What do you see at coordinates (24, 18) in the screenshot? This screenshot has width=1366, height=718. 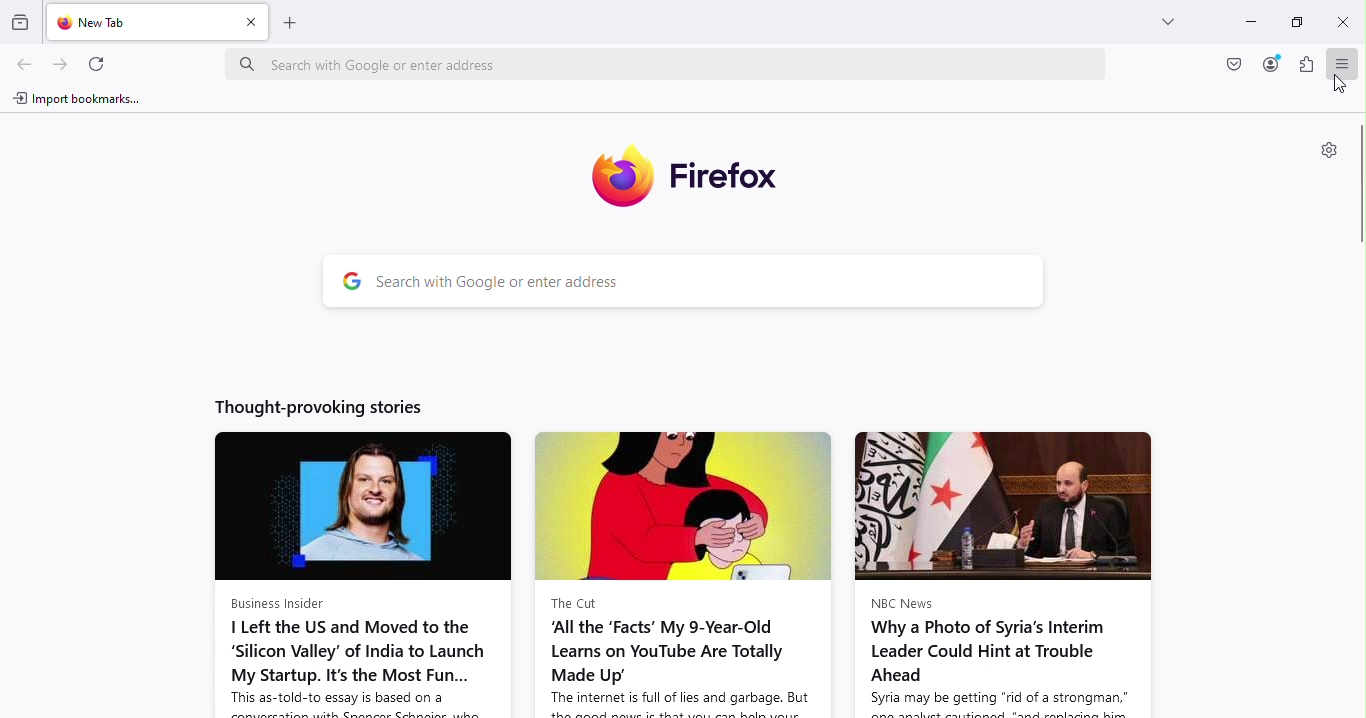 I see `Visit recent browsing across windows and devices` at bounding box center [24, 18].